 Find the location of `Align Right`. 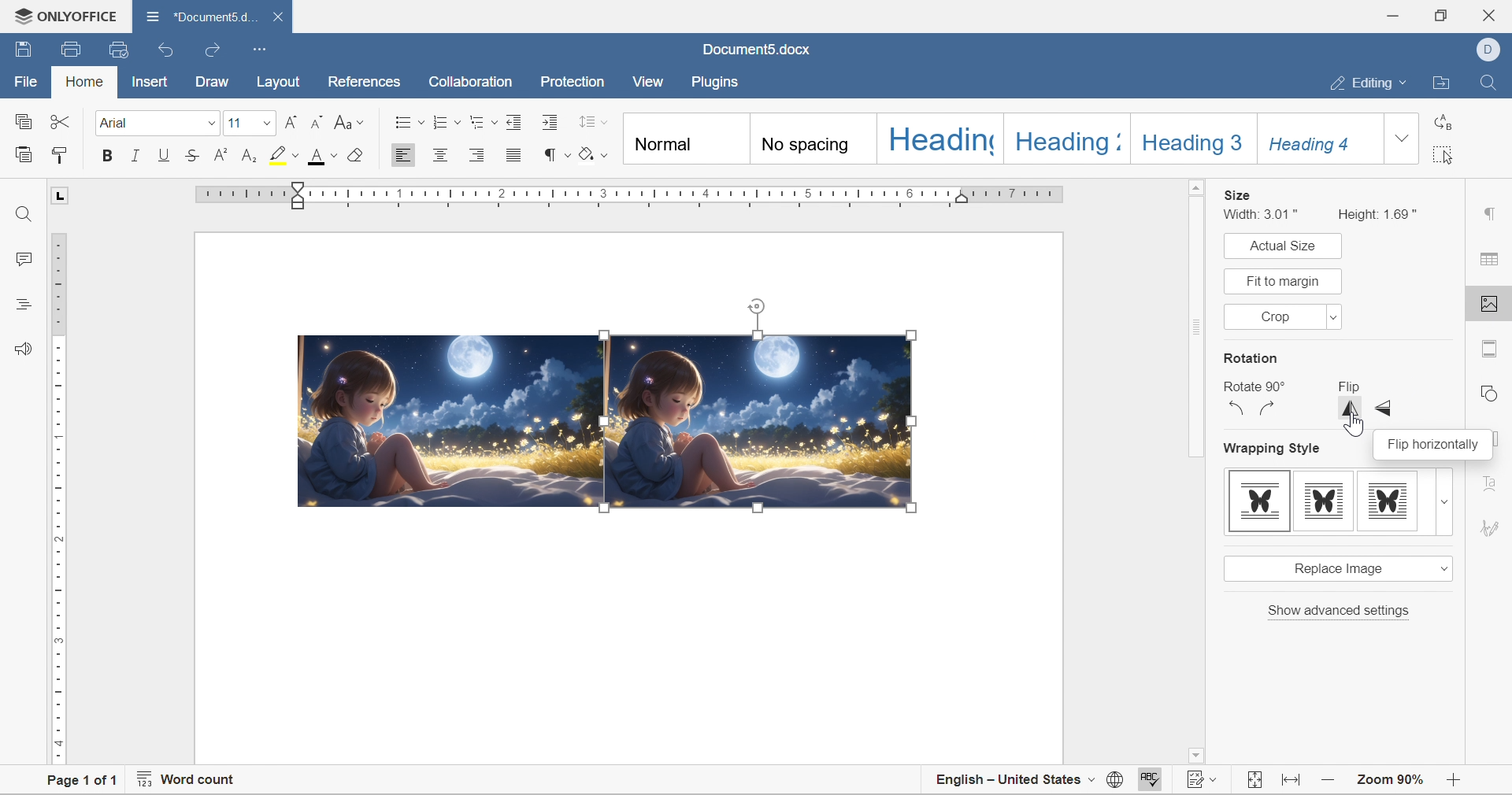

Align Right is located at coordinates (482, 155).